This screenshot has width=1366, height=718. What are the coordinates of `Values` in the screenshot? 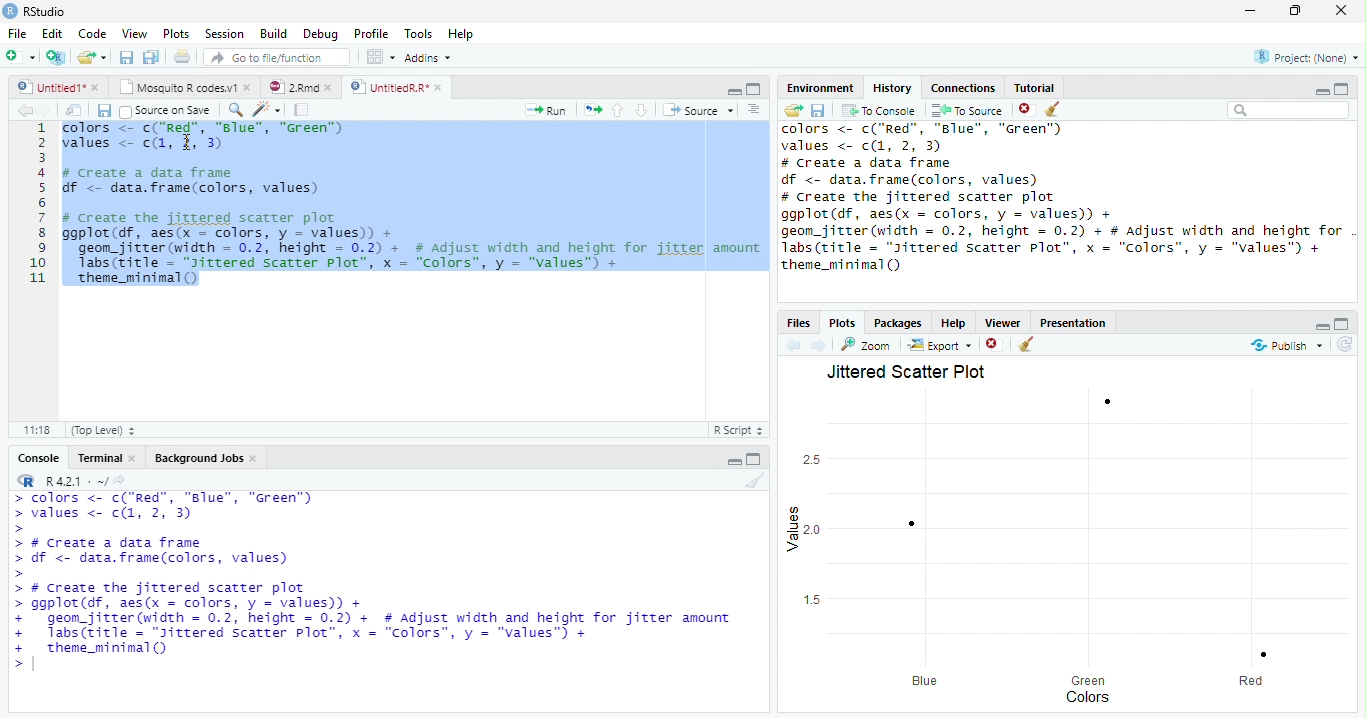 It's located at (791, 530).